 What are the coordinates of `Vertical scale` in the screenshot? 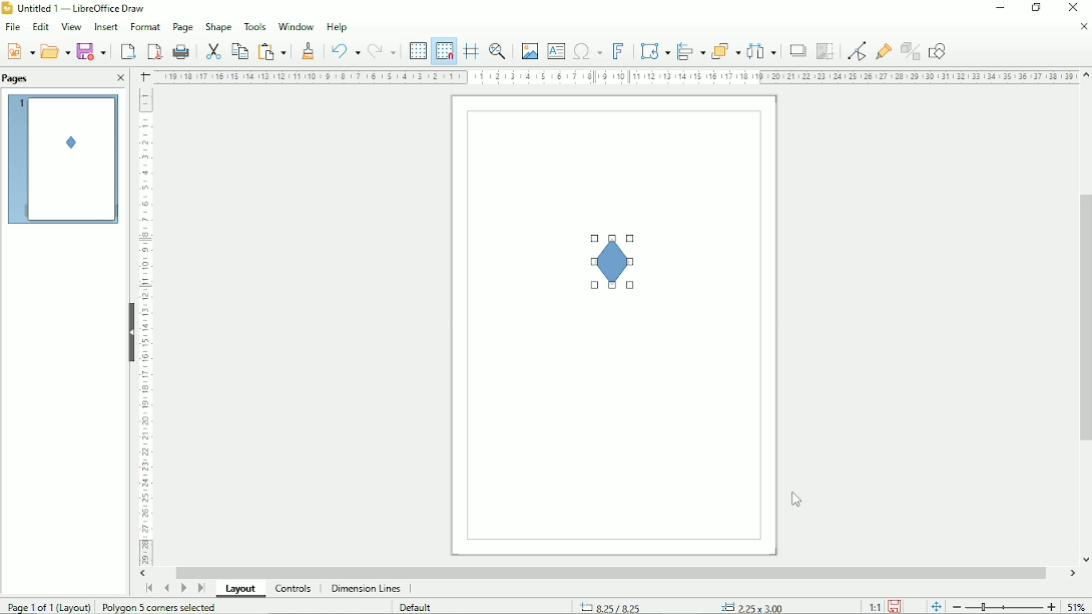 It's located at (149, 330).